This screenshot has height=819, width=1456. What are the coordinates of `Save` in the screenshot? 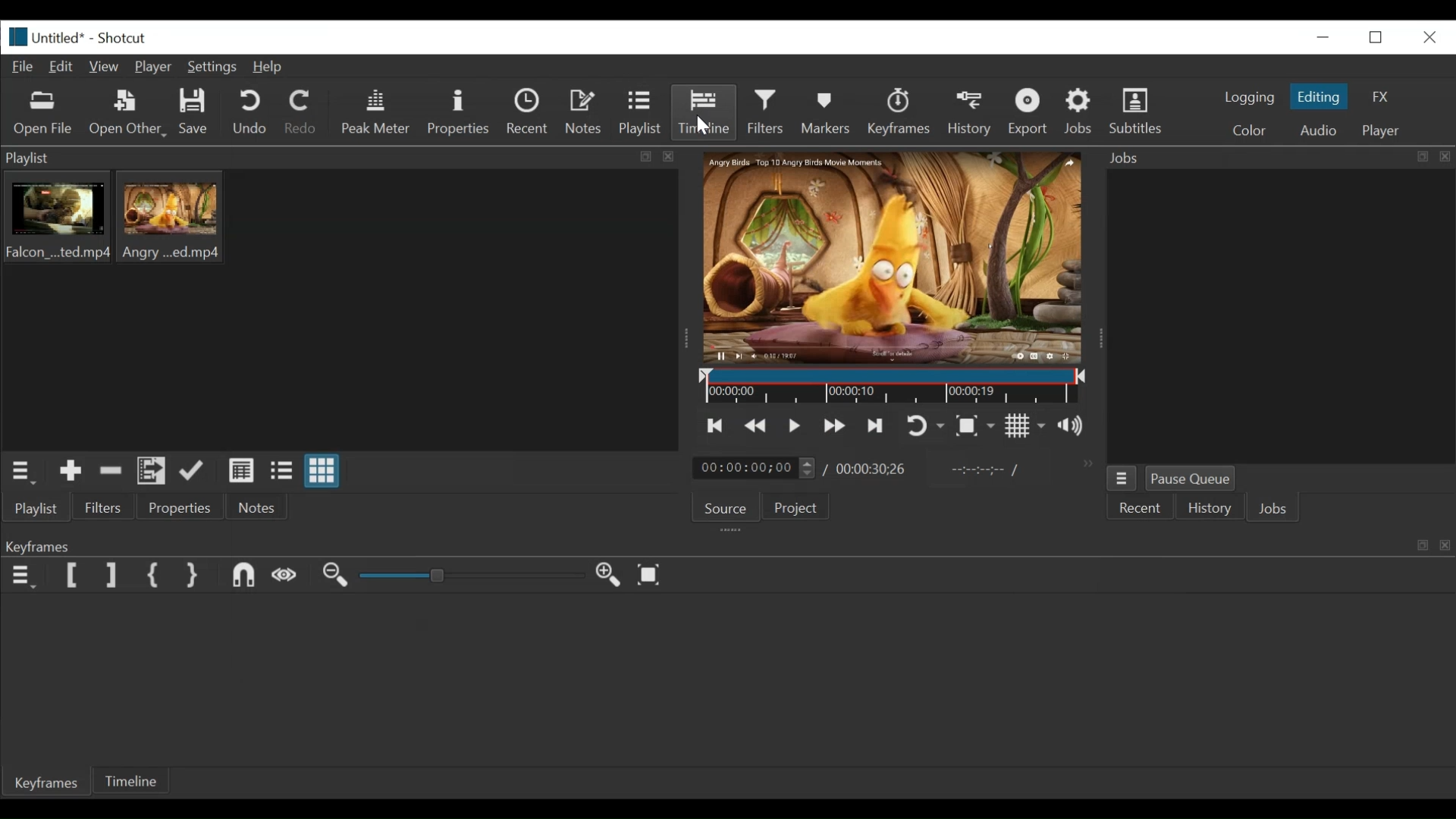 It's located at (194, 114).